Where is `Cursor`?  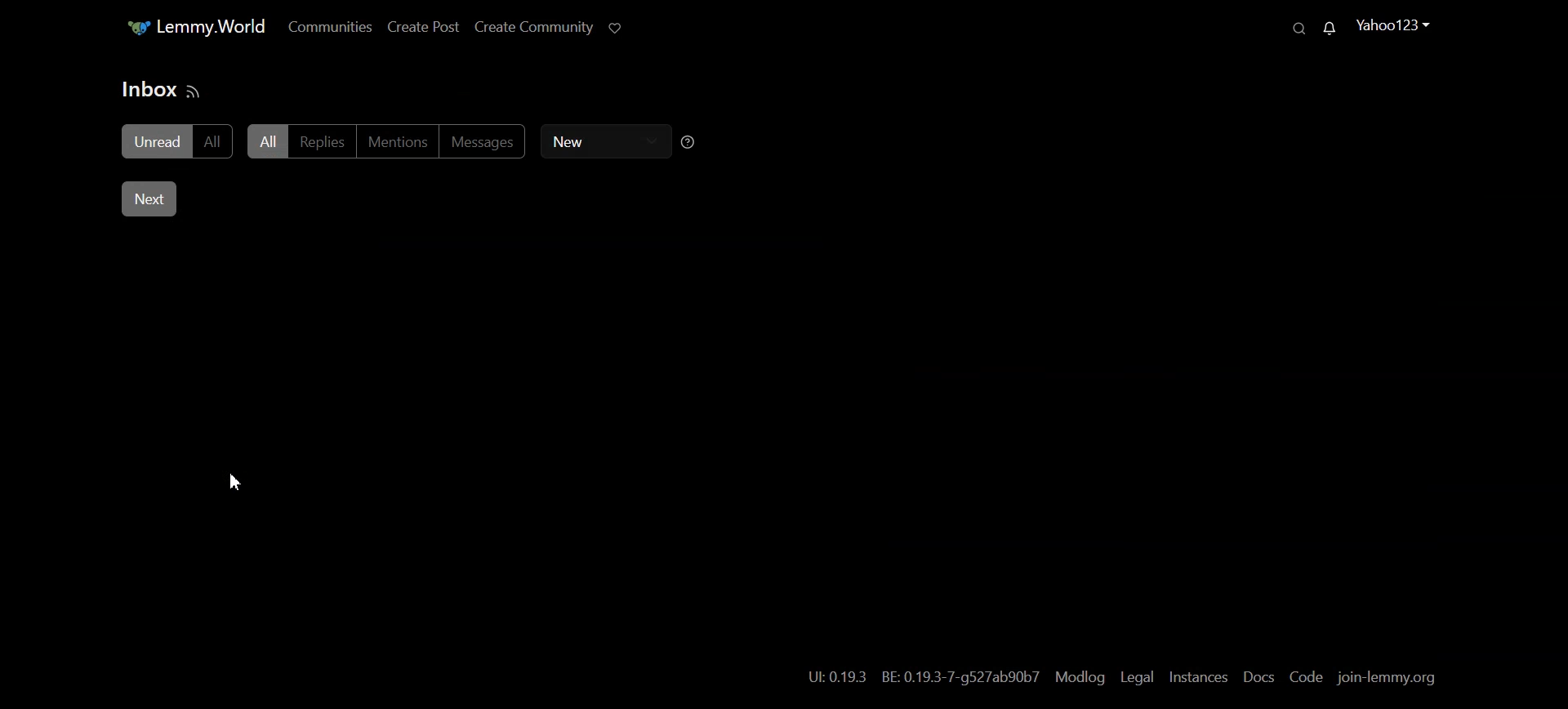 Cursor is located at coordinates (234, 483).